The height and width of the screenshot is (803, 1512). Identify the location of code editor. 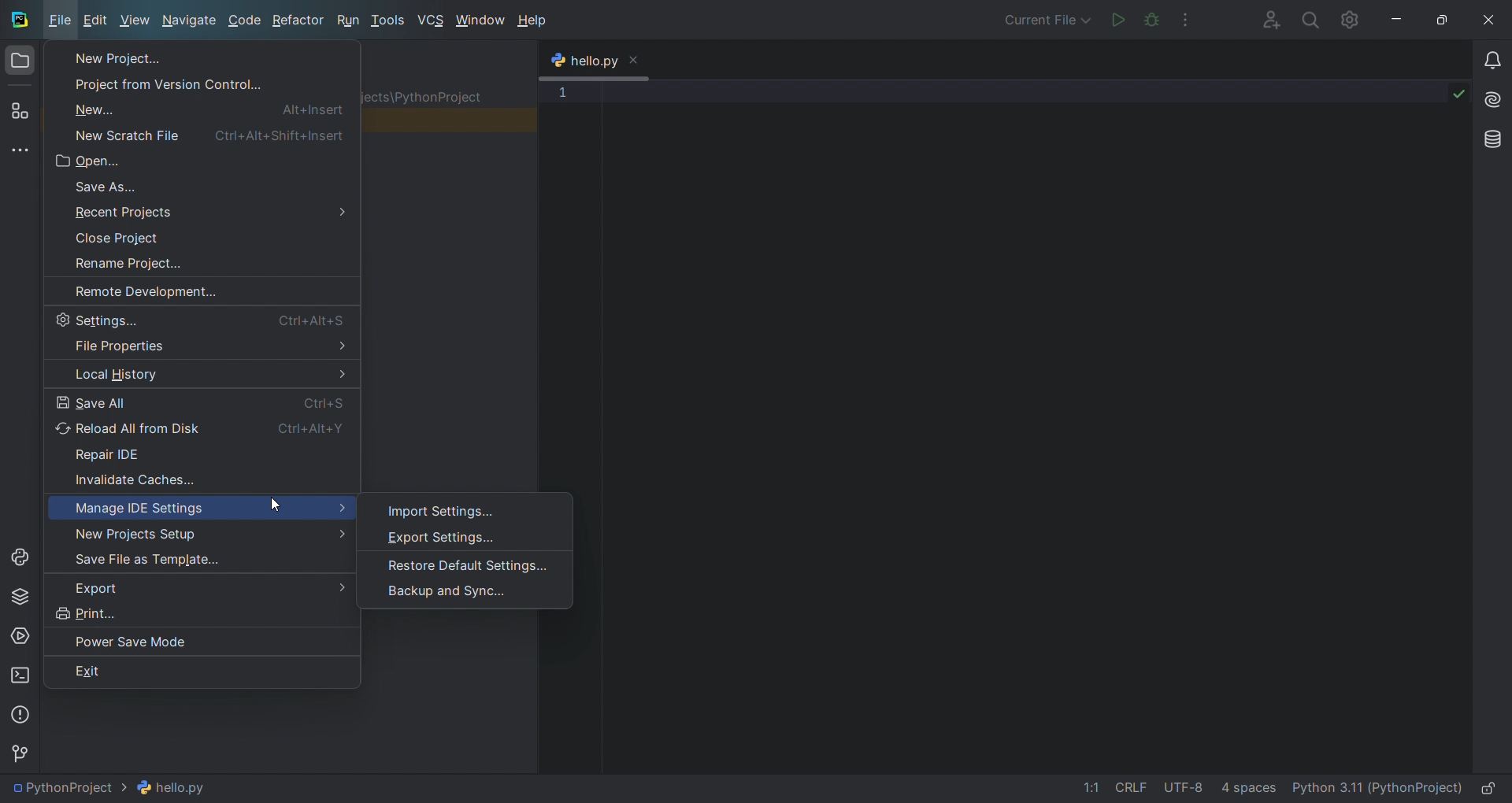
(1005, 425).